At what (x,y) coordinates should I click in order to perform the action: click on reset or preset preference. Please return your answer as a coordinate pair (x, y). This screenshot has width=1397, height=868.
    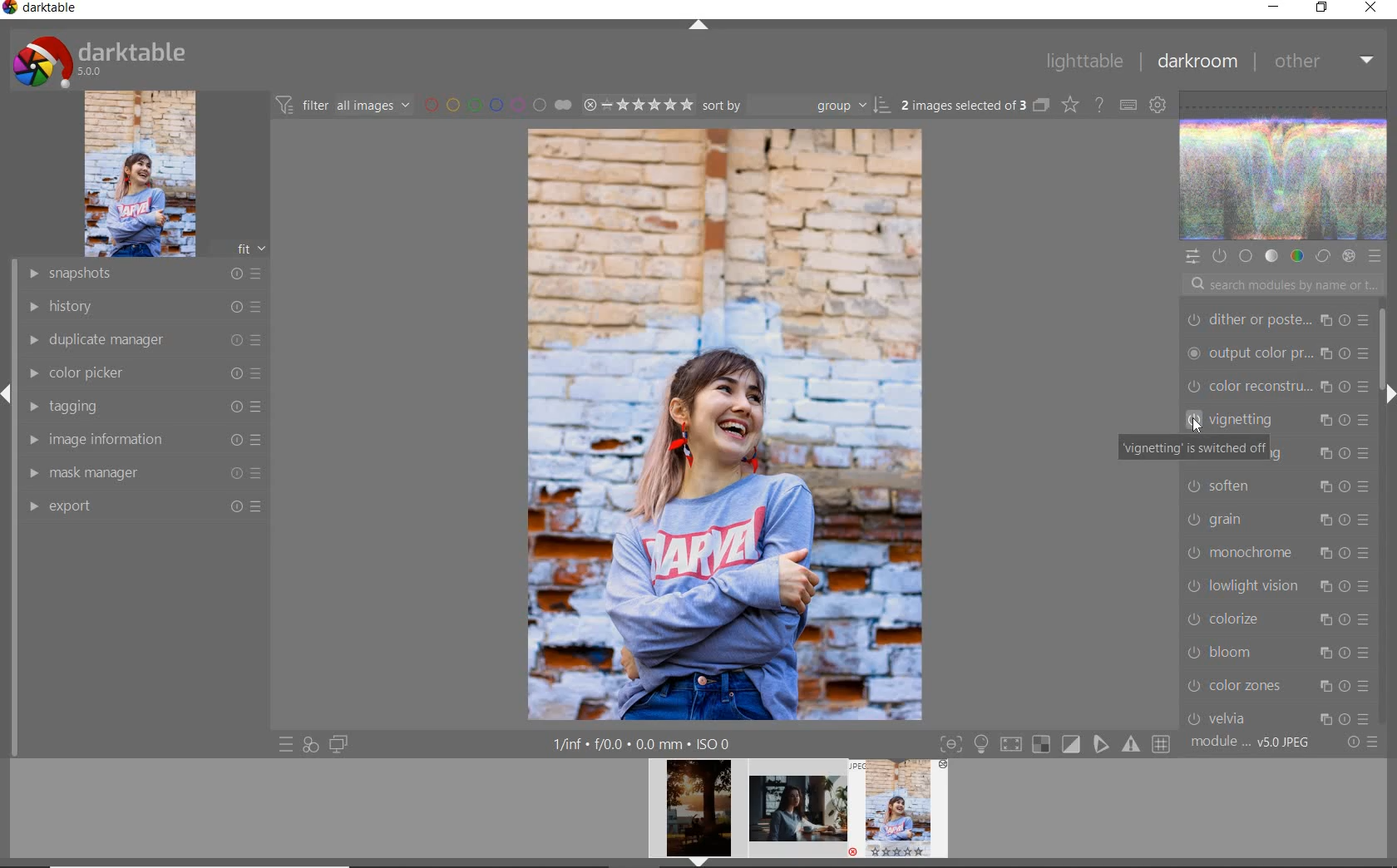
    Looking at the image, I should click on (1361, 743).